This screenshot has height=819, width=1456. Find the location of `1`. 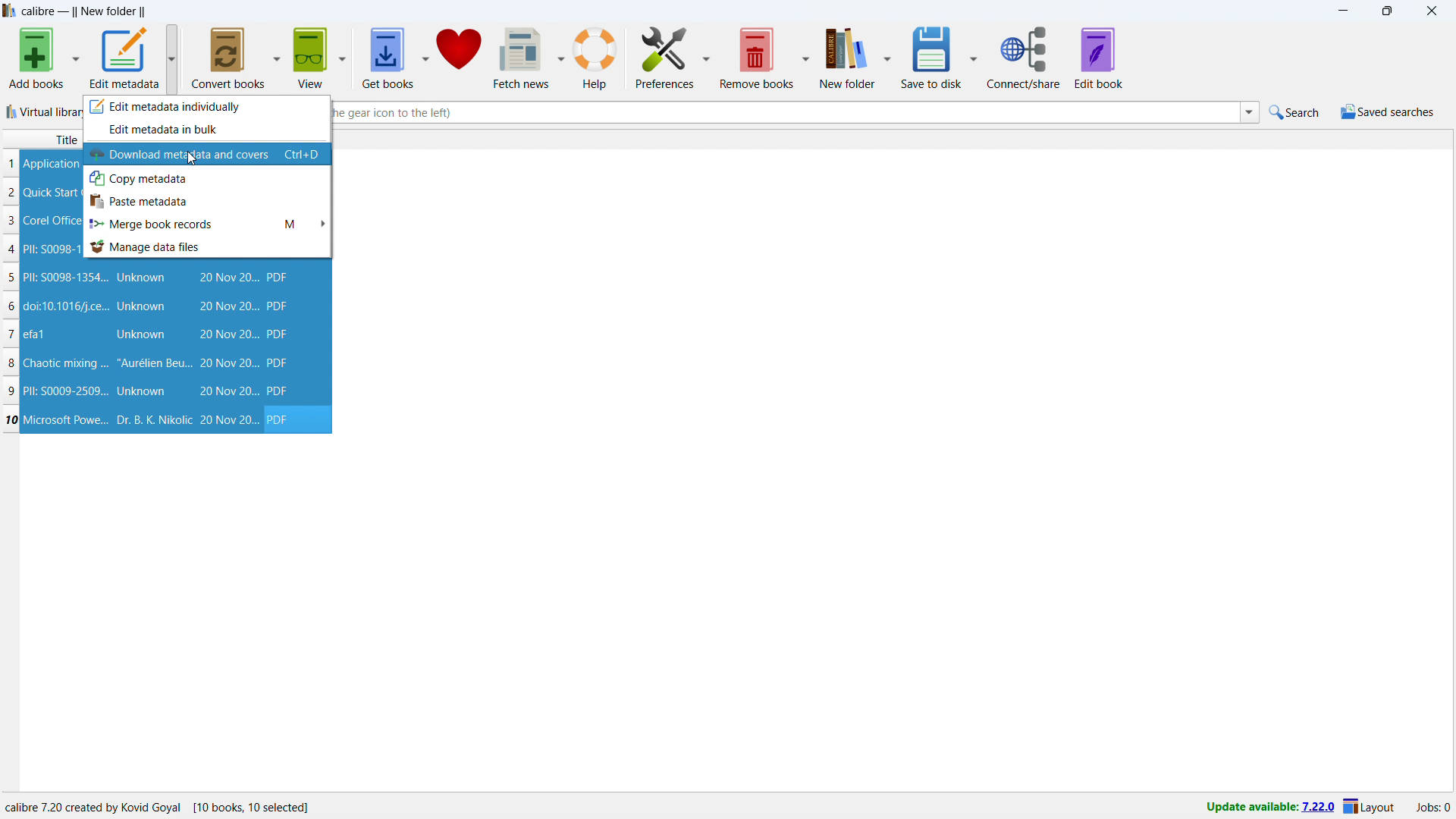

1 is located at coordinates (11, 164).